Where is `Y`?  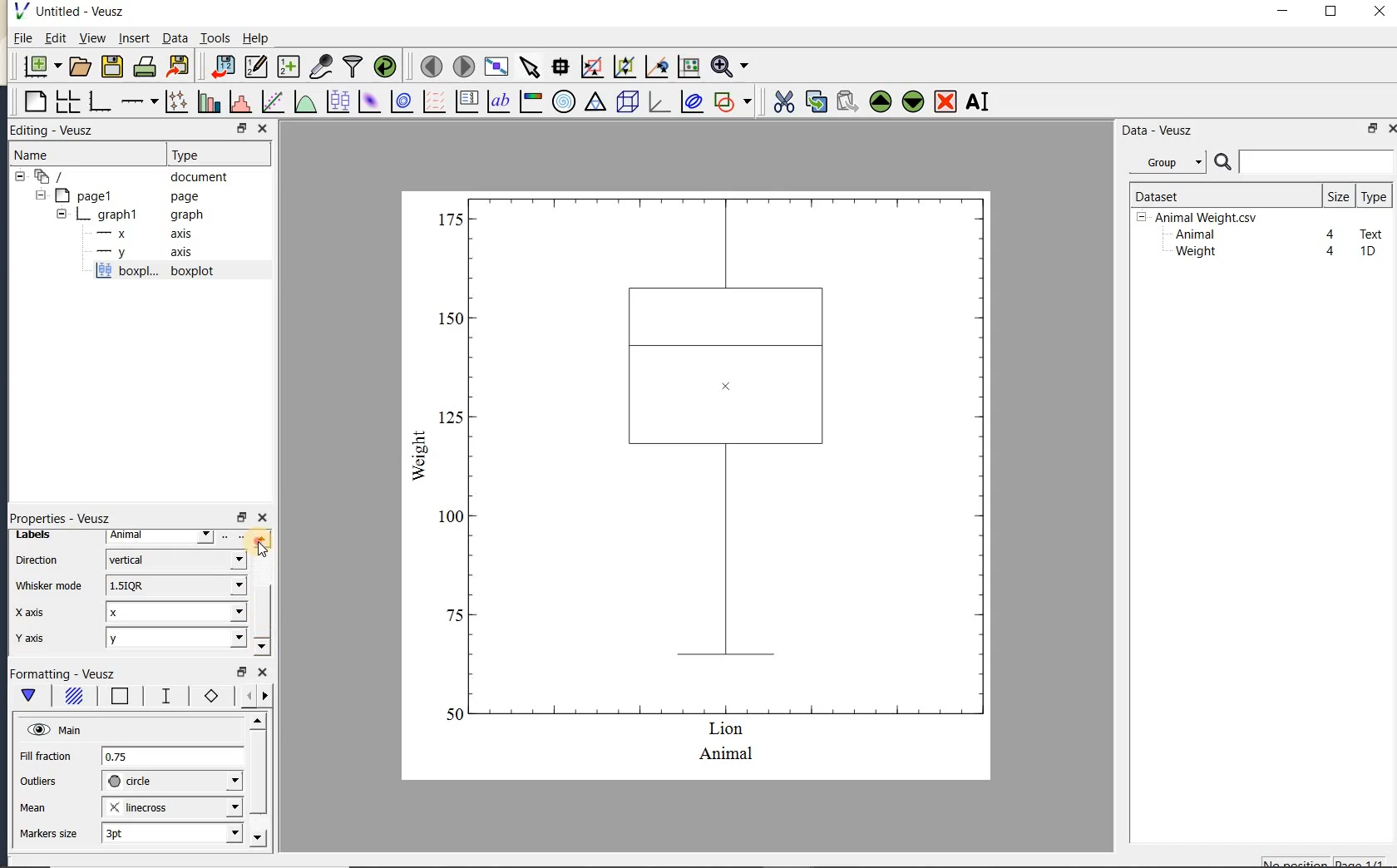
Y is located at coordinates (175, 638).